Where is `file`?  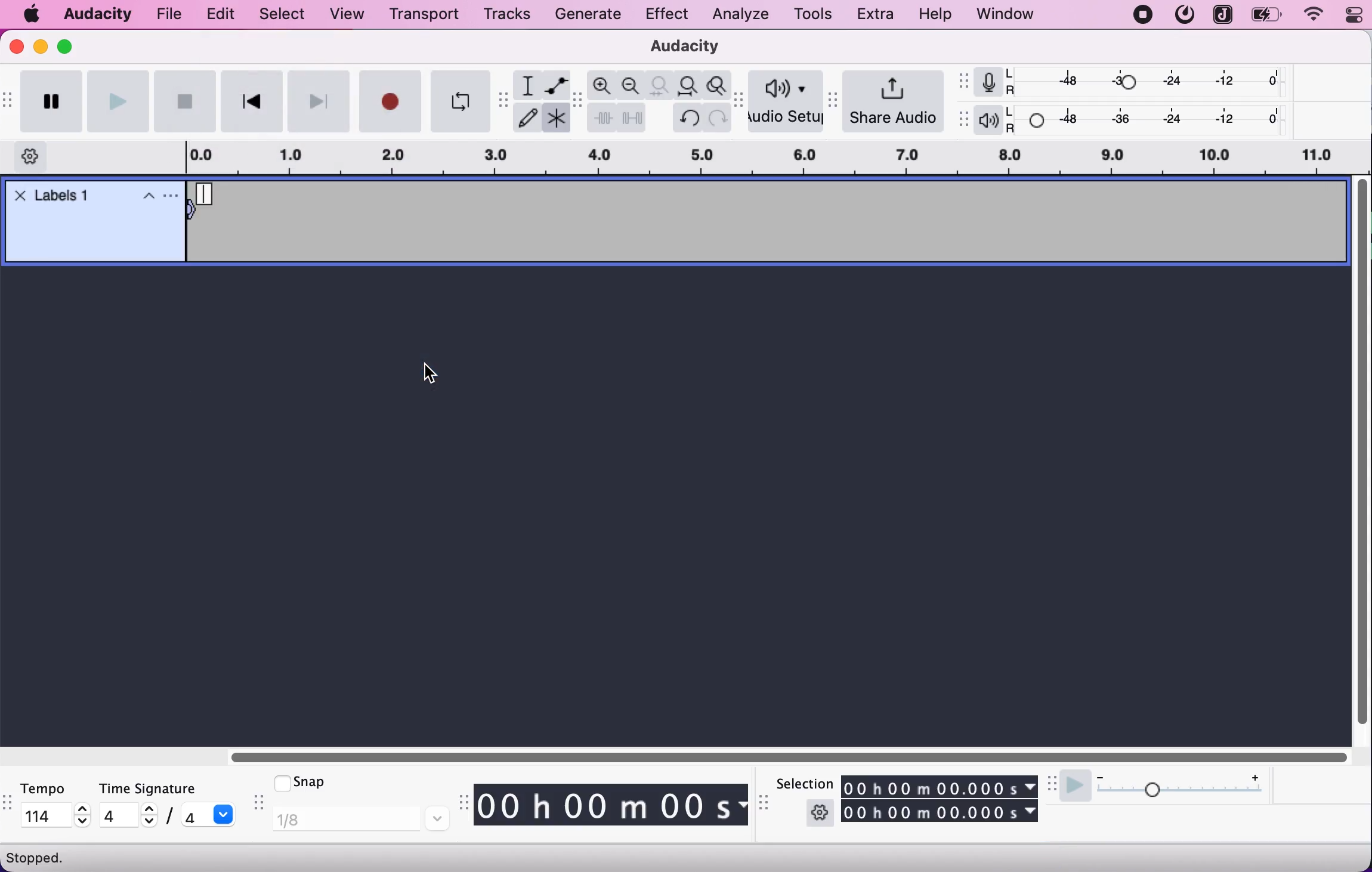
file is located at coordinates (171, 13).